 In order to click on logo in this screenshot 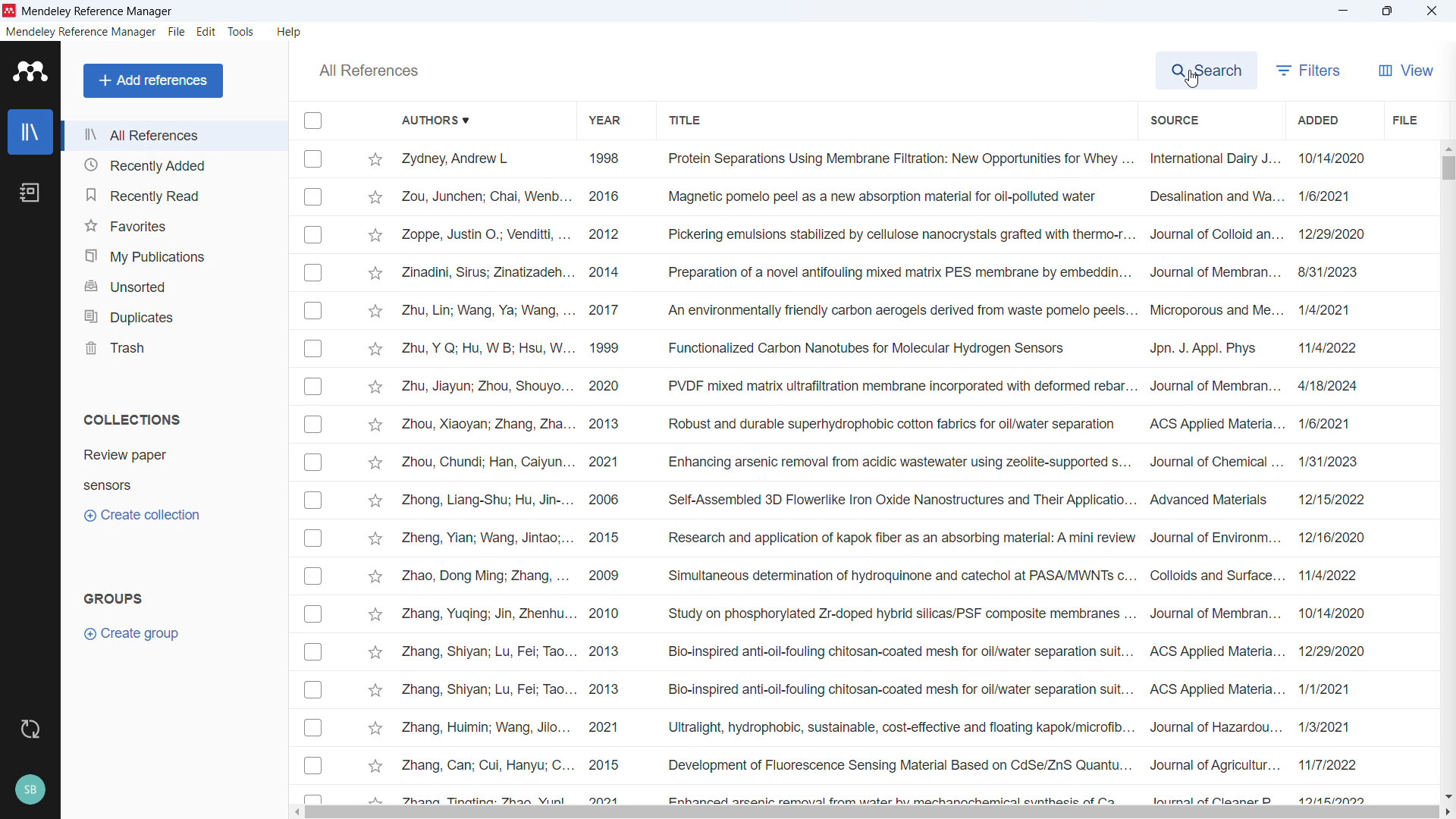, I will do `click(30, 71)`.